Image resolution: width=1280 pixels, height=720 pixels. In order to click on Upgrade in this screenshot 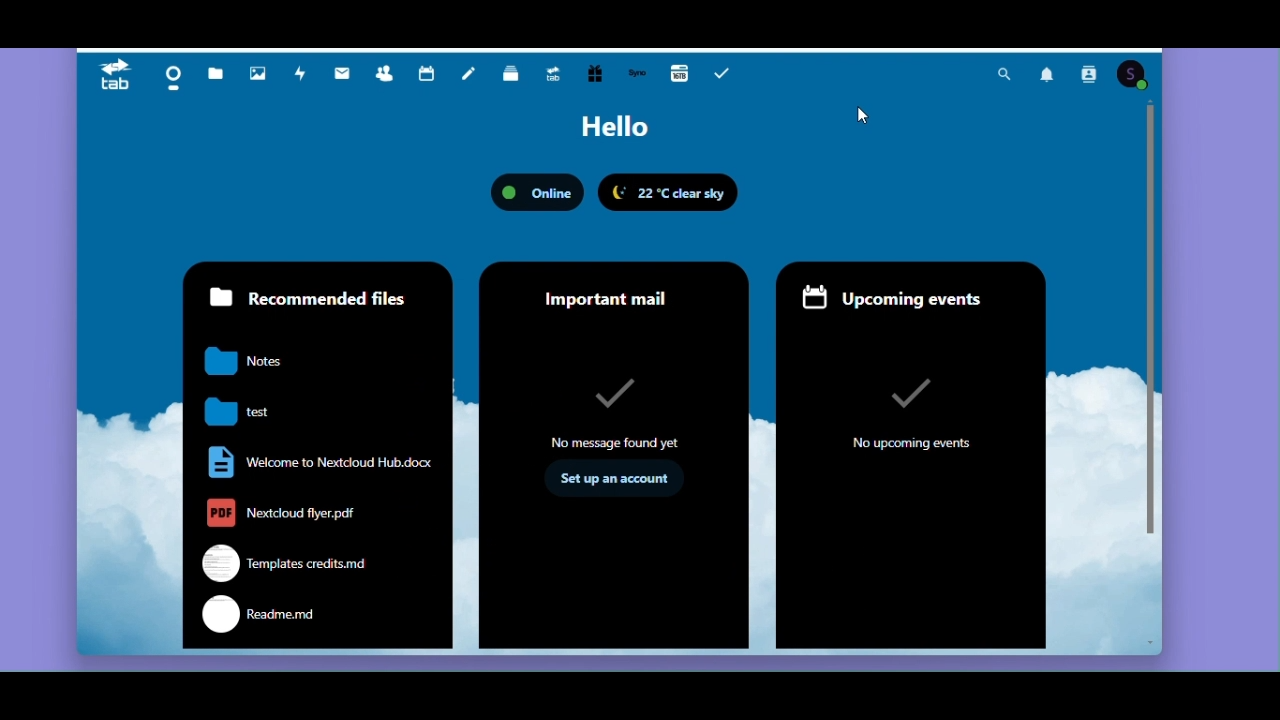, I will do `click(557, 75)`.